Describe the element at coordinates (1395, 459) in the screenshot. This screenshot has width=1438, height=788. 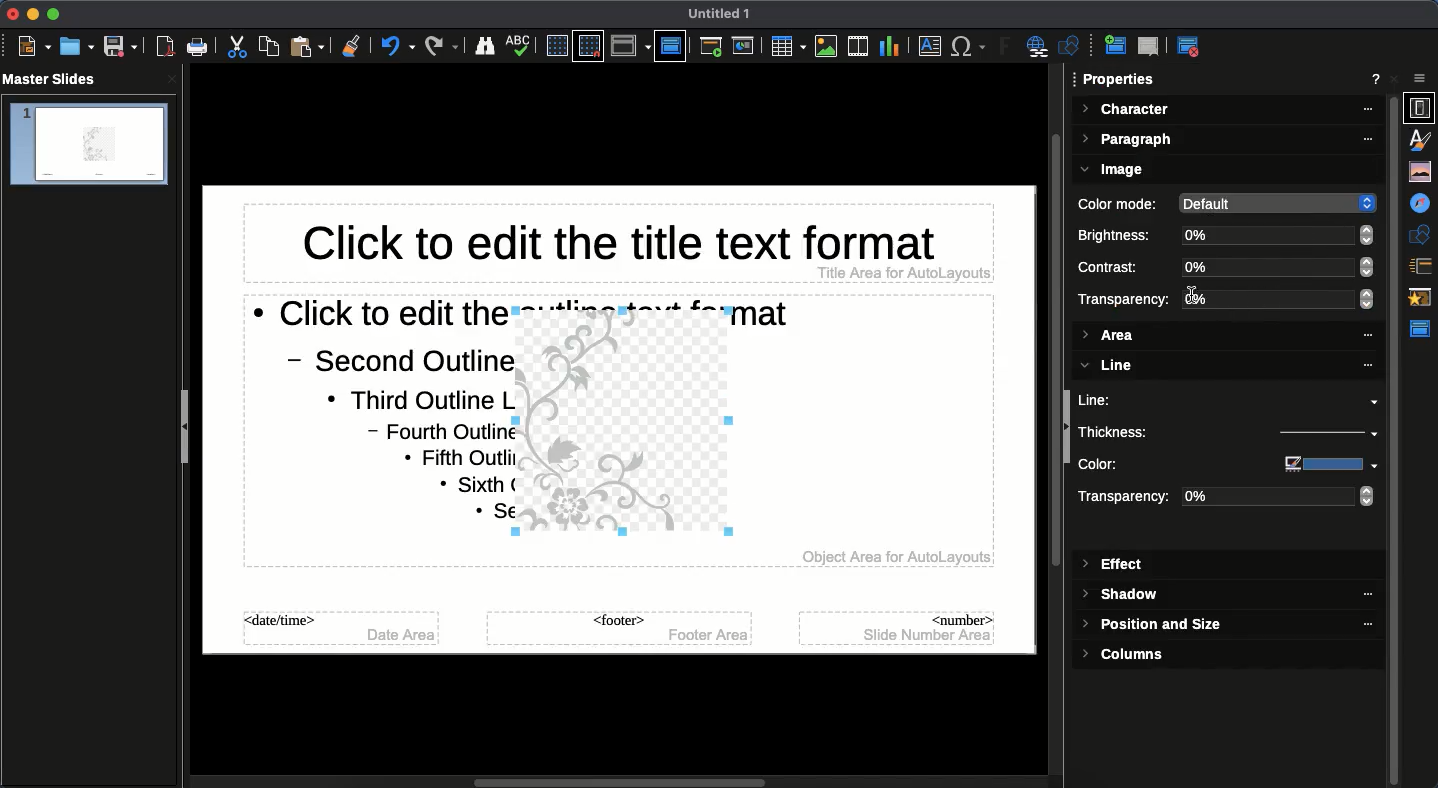
I see `properties scroll bar` at that location.